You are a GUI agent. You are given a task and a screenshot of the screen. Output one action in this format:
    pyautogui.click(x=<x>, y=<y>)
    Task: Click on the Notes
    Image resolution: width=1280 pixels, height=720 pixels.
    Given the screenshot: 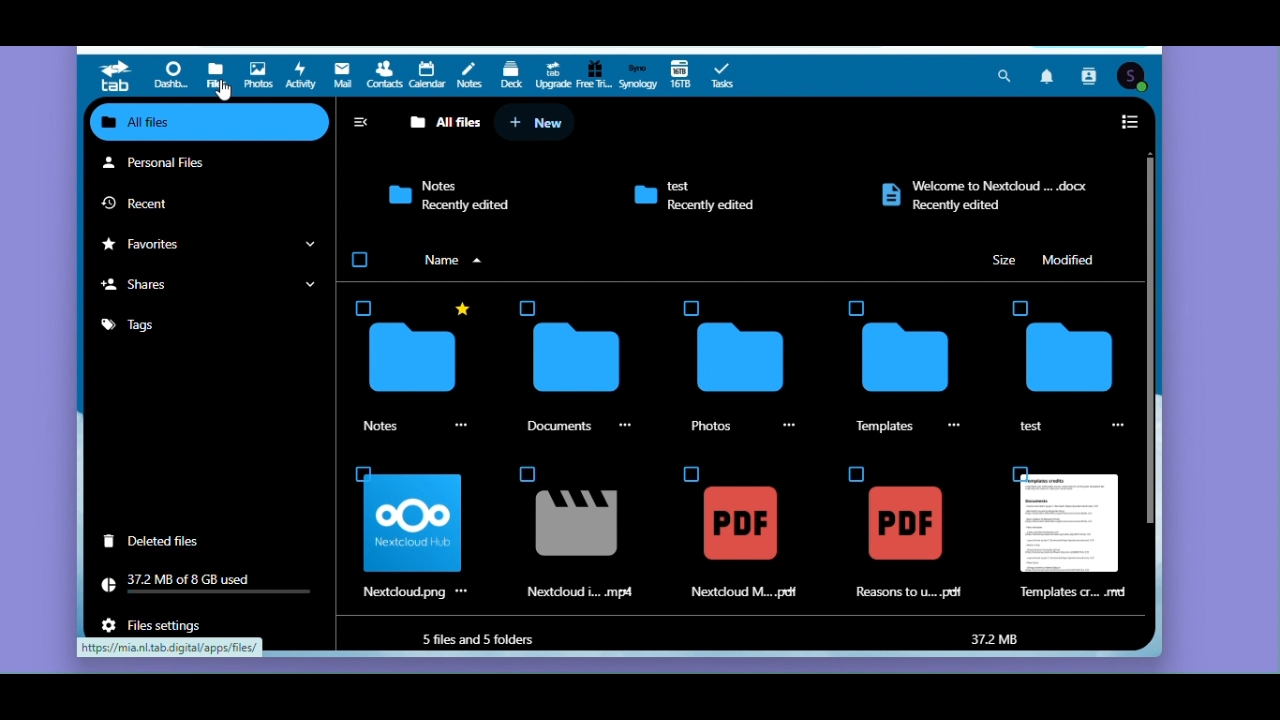 What is the action you would take?
    pyautogui.click(x=442, y=196)
    